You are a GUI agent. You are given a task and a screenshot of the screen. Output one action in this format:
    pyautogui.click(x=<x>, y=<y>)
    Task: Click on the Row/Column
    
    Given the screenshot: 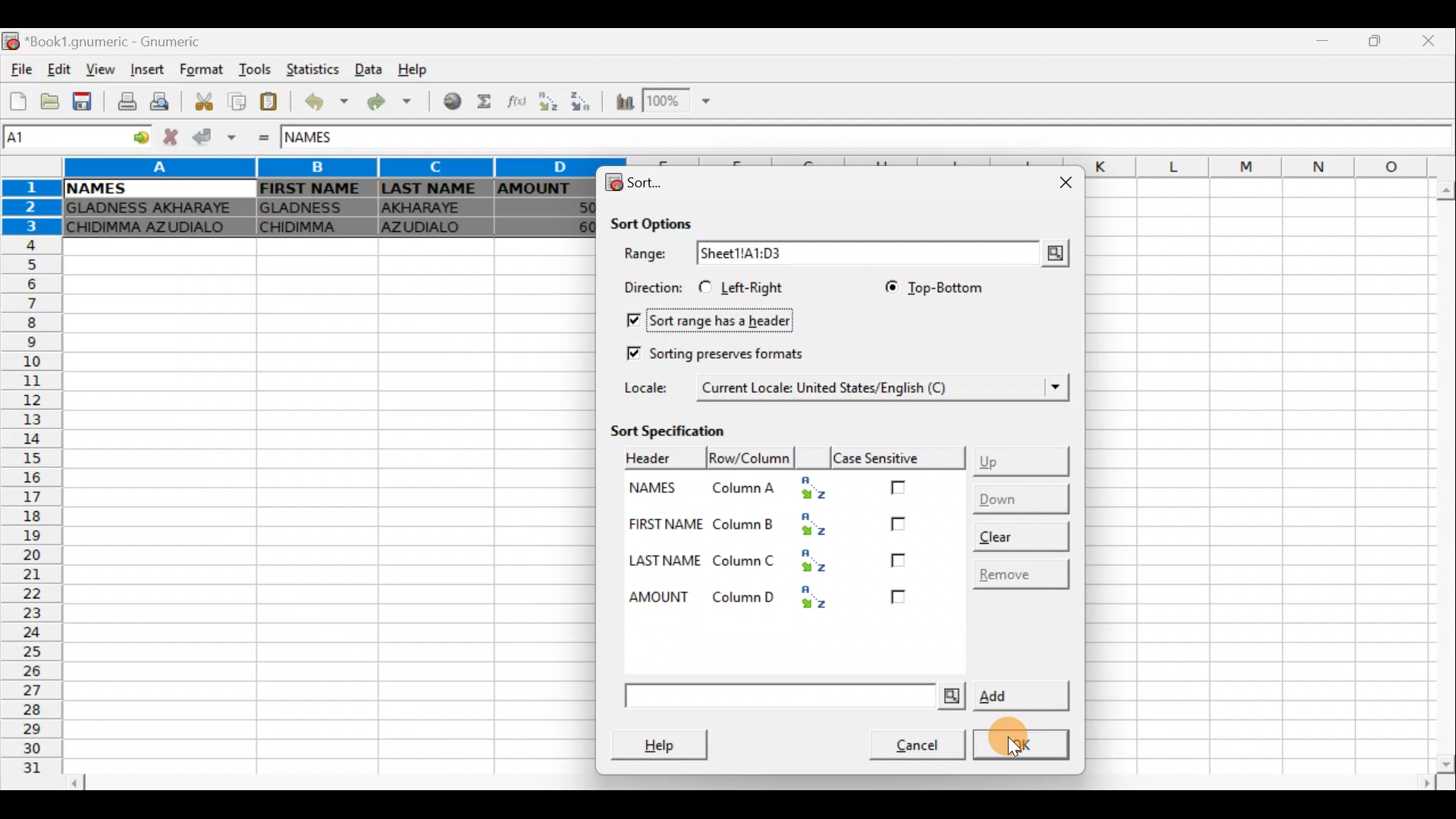 What is the action you would take?
    pyautogui.click(x=750, y=459)
    